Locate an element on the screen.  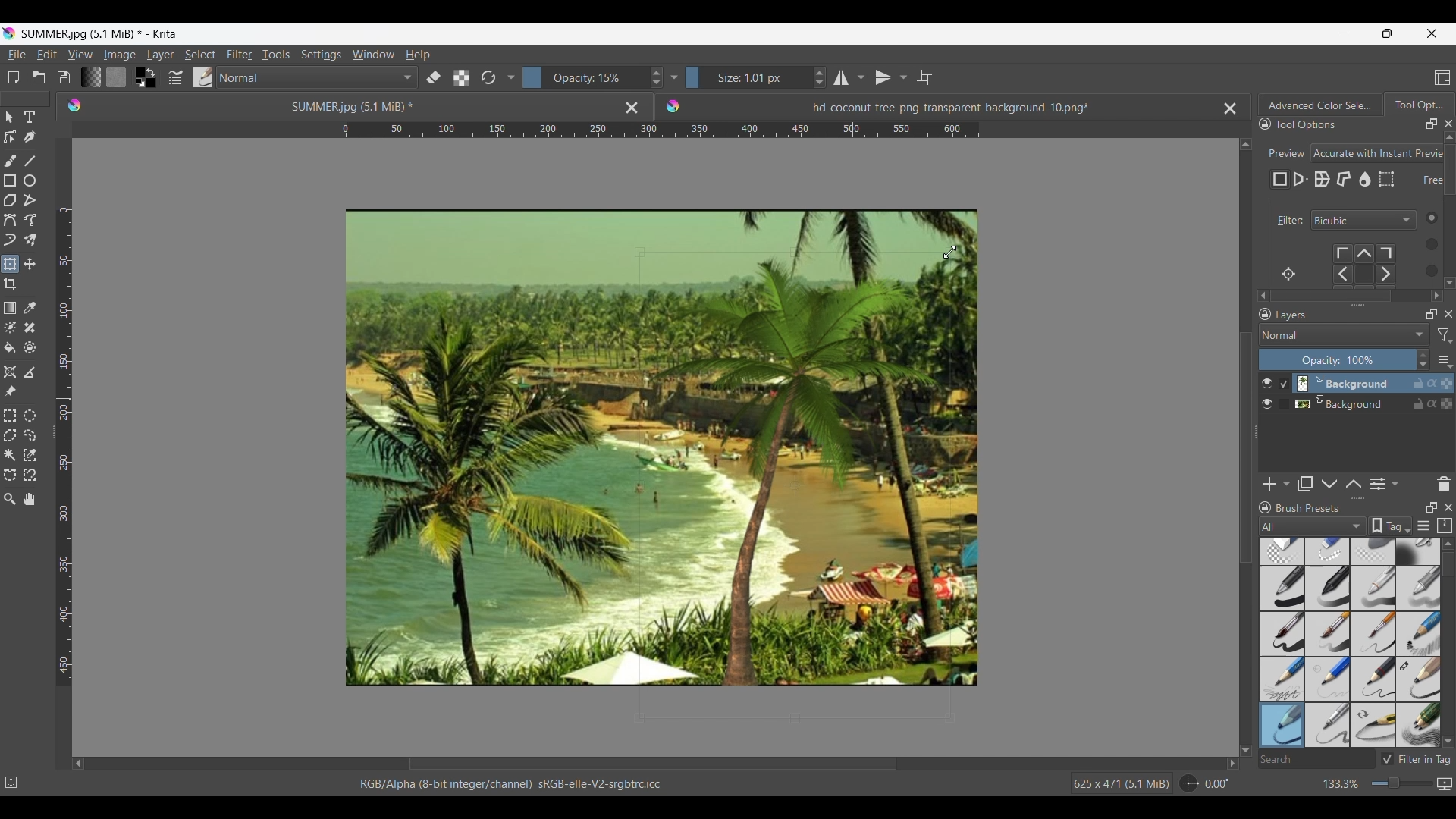
Preview is located at coordinates (1284, 149).